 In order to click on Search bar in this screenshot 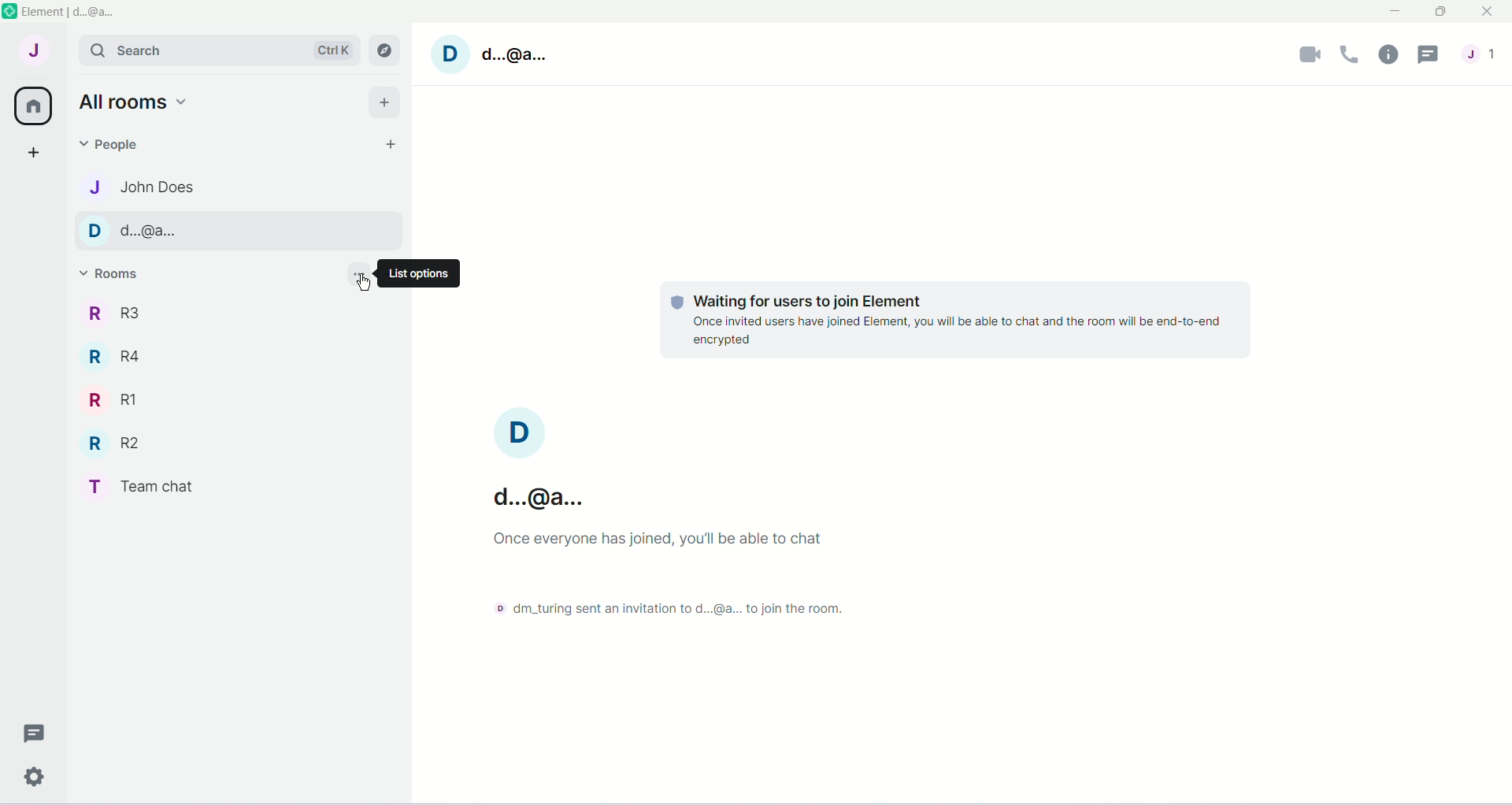, I will do `click(219, 50)`.